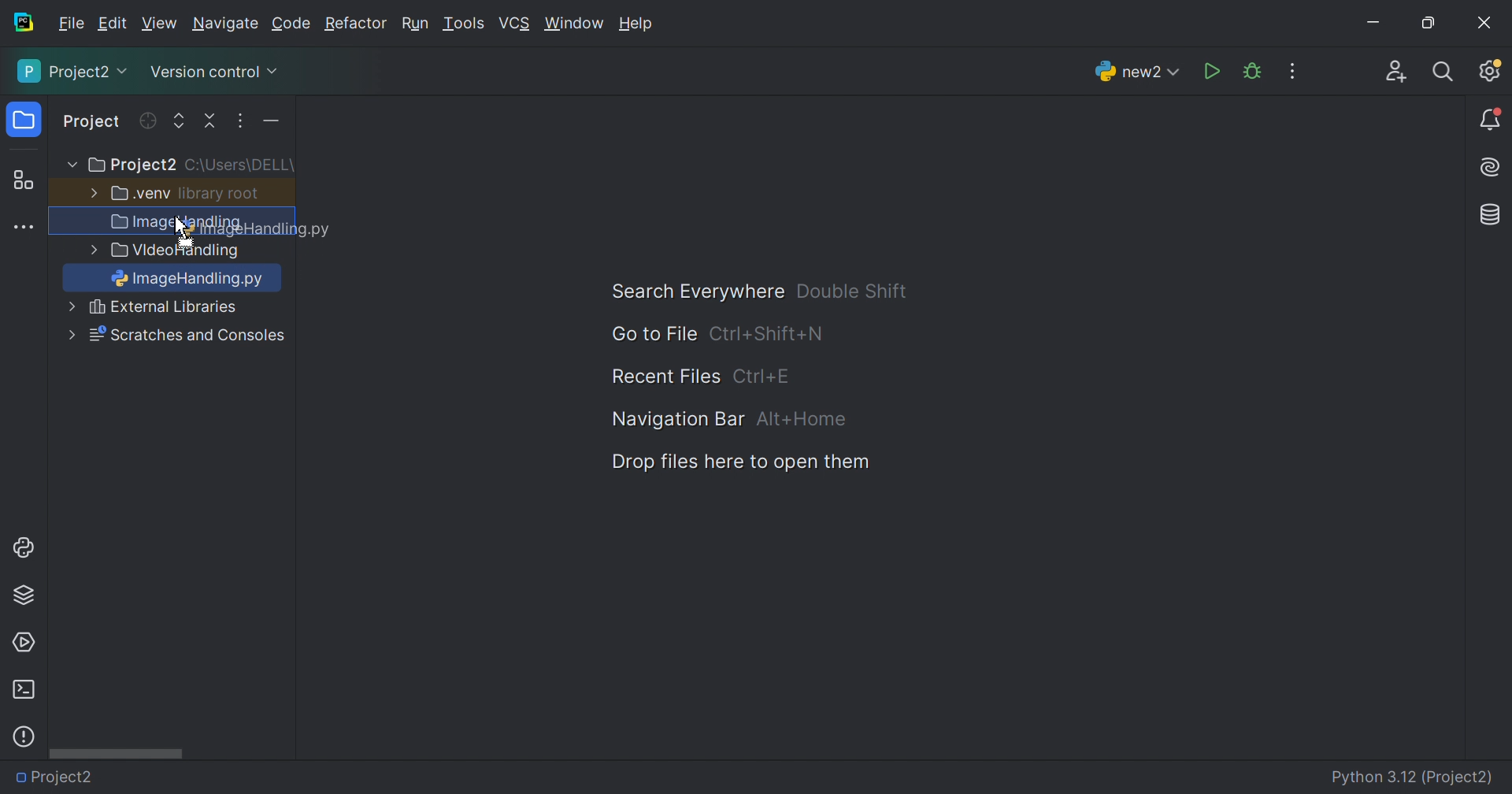  What do you see at coordinates (690, 292) in the screenshot?
I see `Search Everywhere` at bounding box center [690, 292].